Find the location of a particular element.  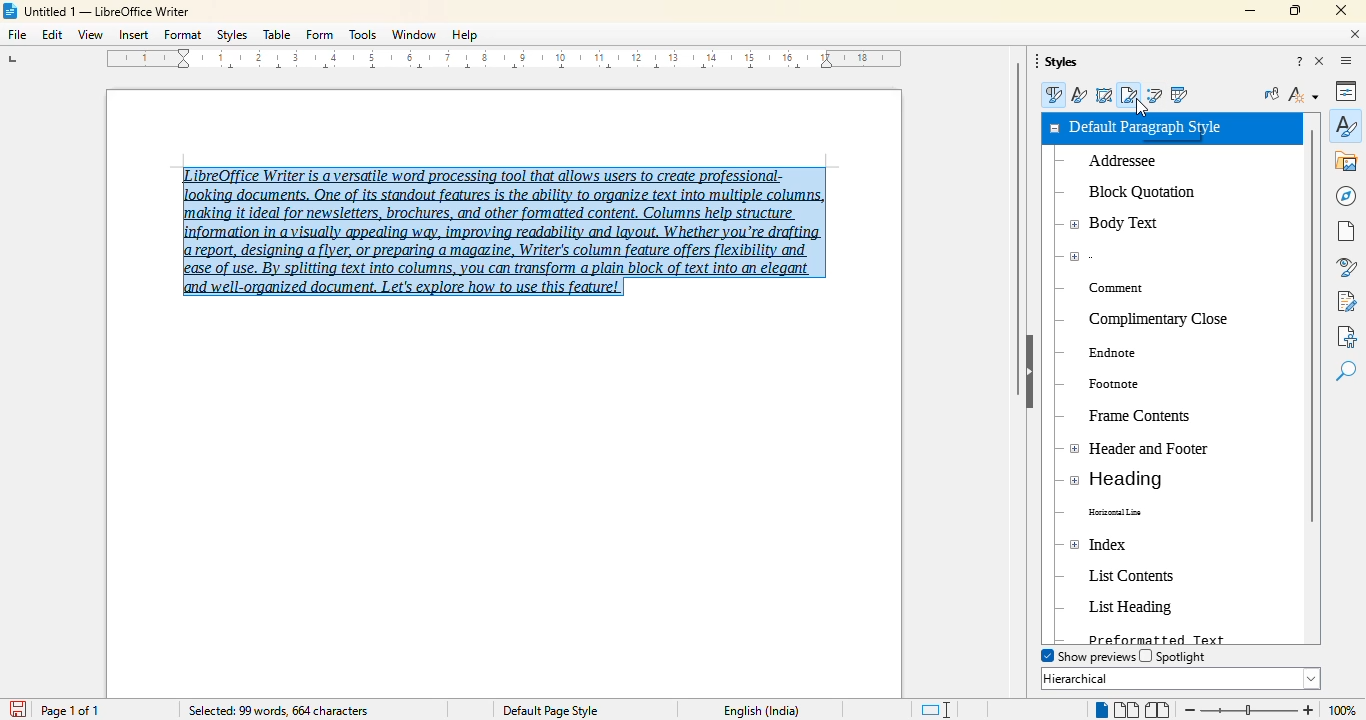

ruler is located at coordinates (508, 62).